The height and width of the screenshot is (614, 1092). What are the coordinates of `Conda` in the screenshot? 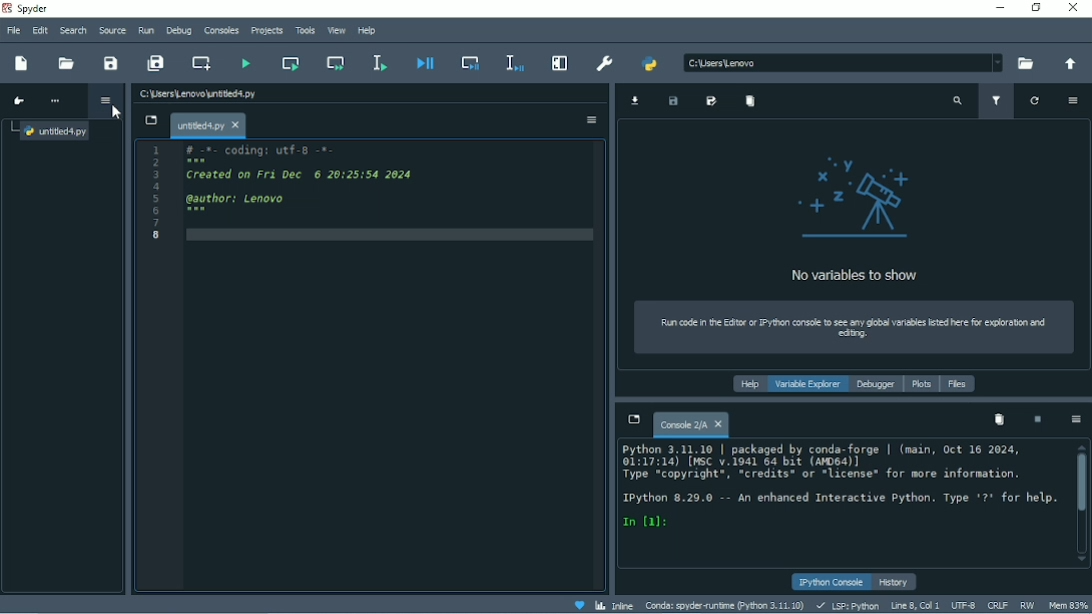 It's located at (725, 605).